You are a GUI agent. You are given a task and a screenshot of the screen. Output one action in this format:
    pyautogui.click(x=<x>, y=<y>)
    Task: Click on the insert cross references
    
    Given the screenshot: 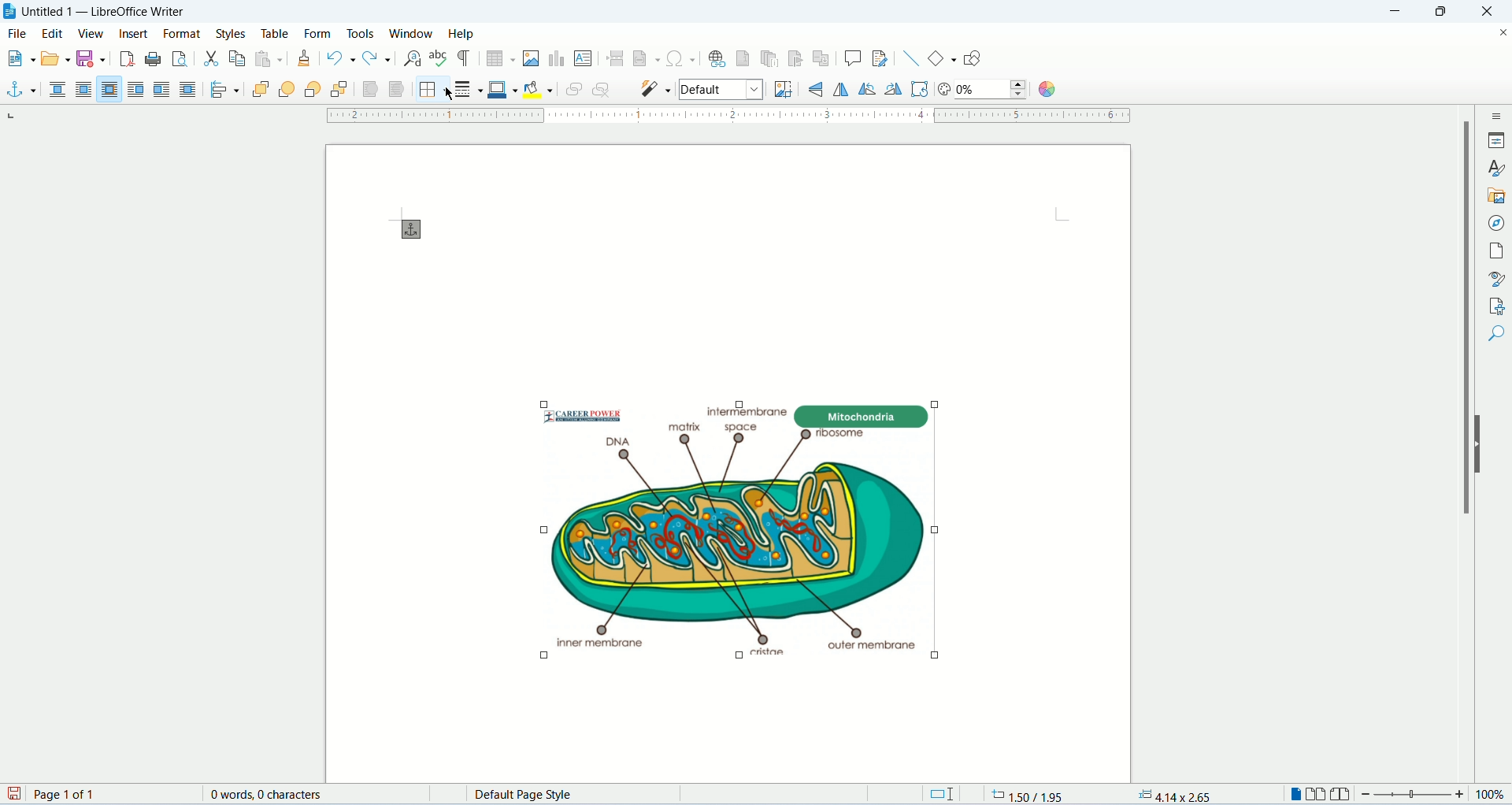 What is the action you would take?
    pyautogui.click(x=821, y=59)
    